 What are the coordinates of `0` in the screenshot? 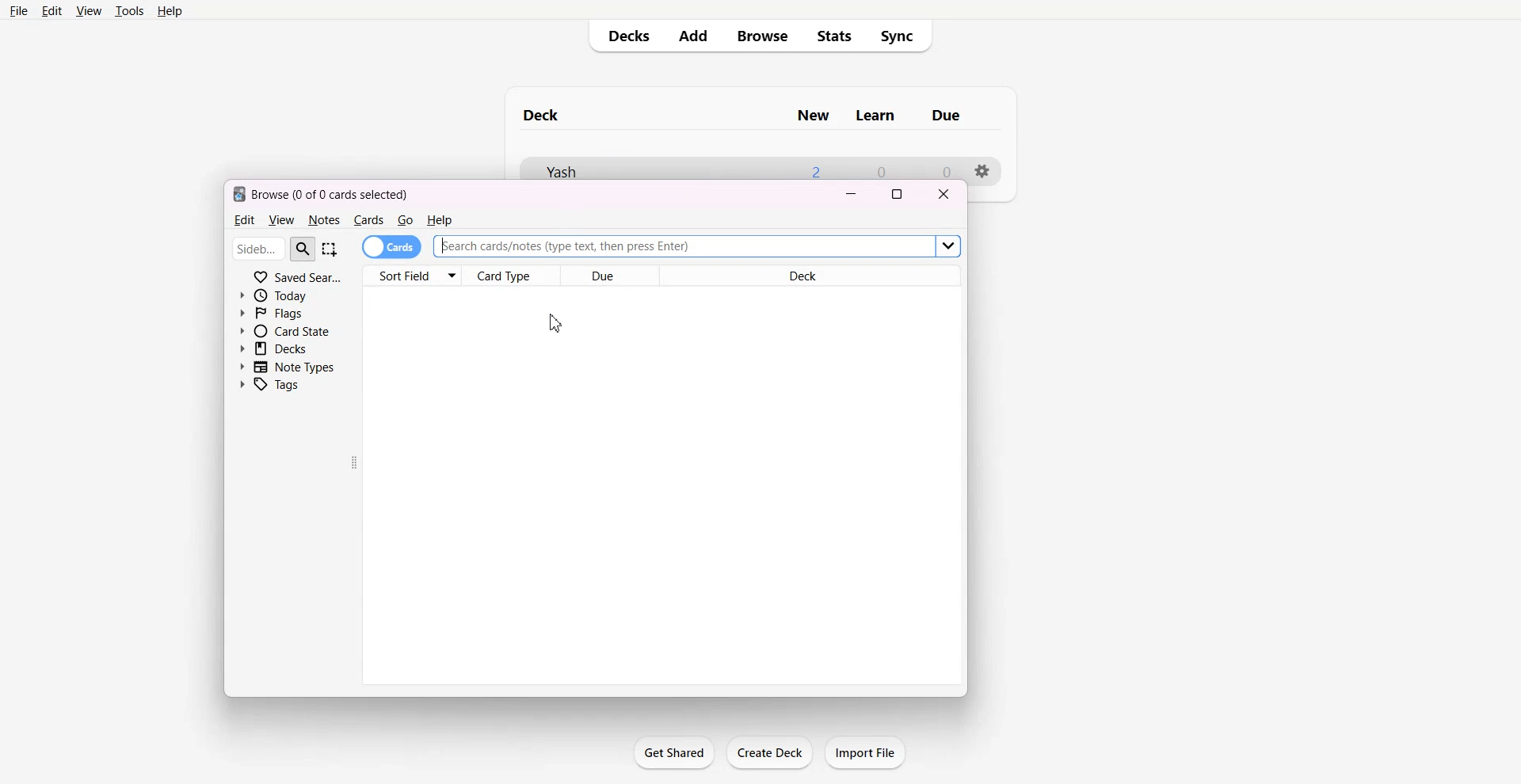 It's located at (883, 169).